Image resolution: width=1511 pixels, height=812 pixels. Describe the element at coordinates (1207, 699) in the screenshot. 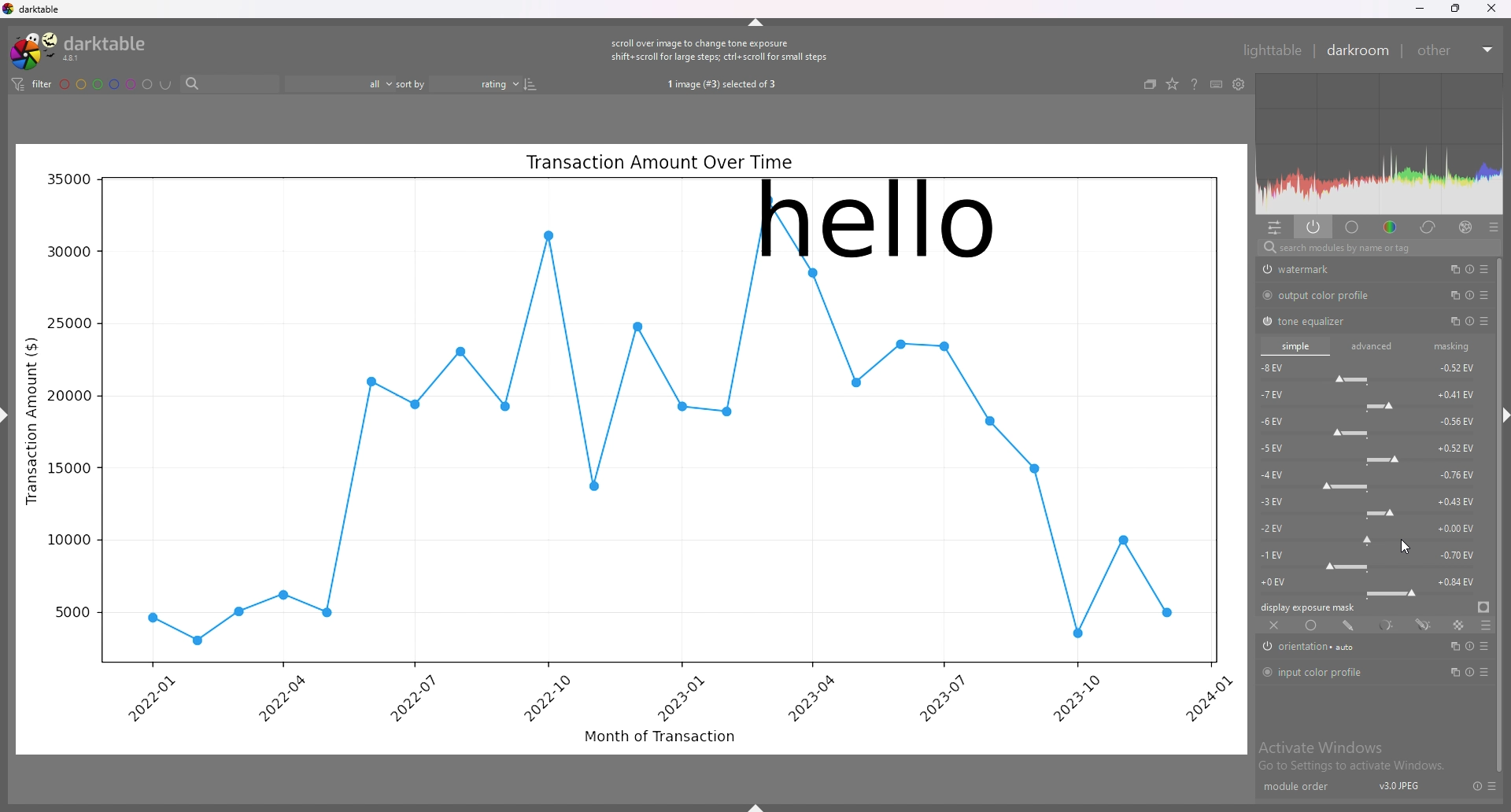

I see `2024-01` at that location.